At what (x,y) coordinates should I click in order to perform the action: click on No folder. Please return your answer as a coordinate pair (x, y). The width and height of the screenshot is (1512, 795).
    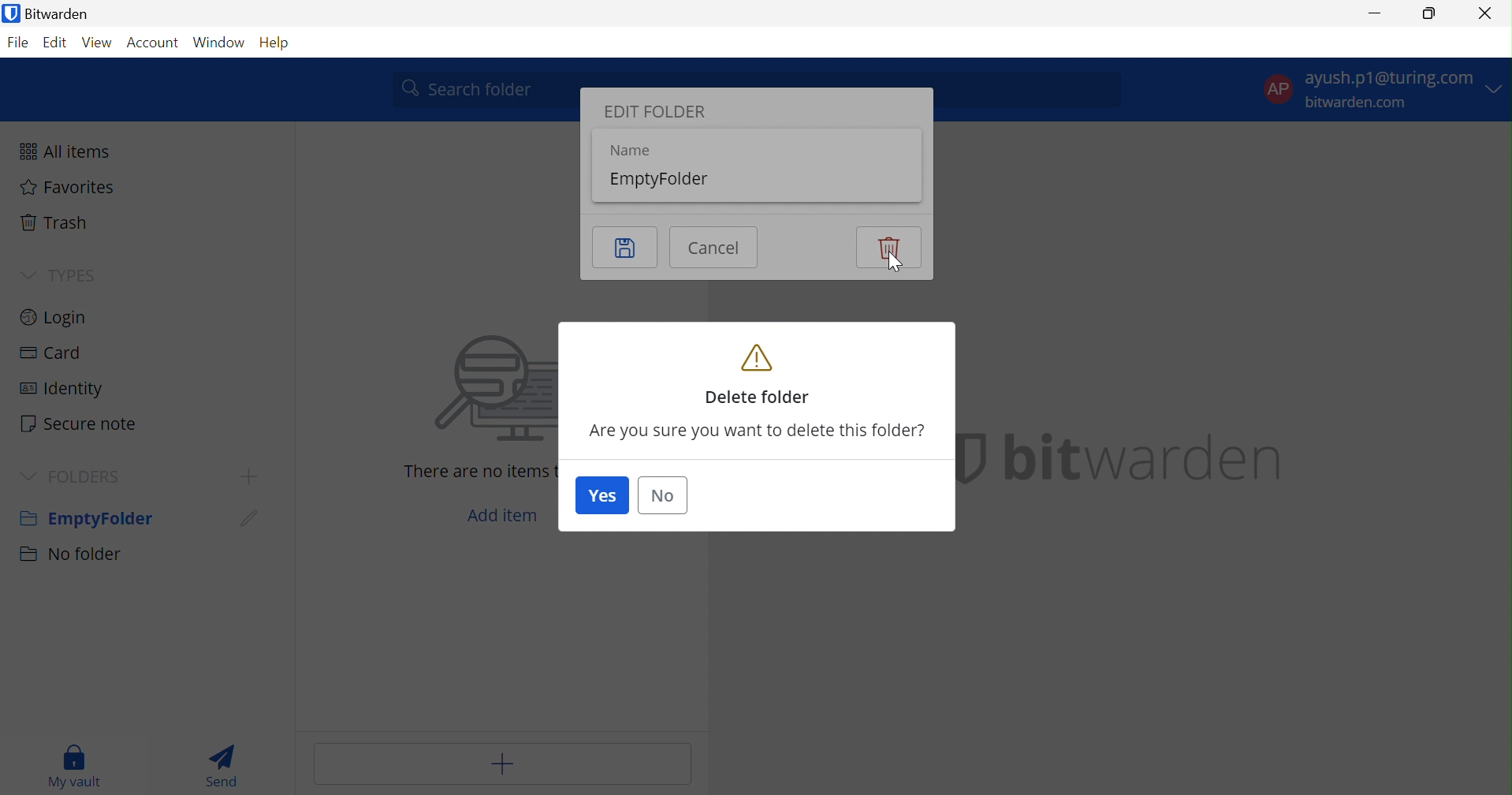
    Looking at the image, I should click on (73, 554).